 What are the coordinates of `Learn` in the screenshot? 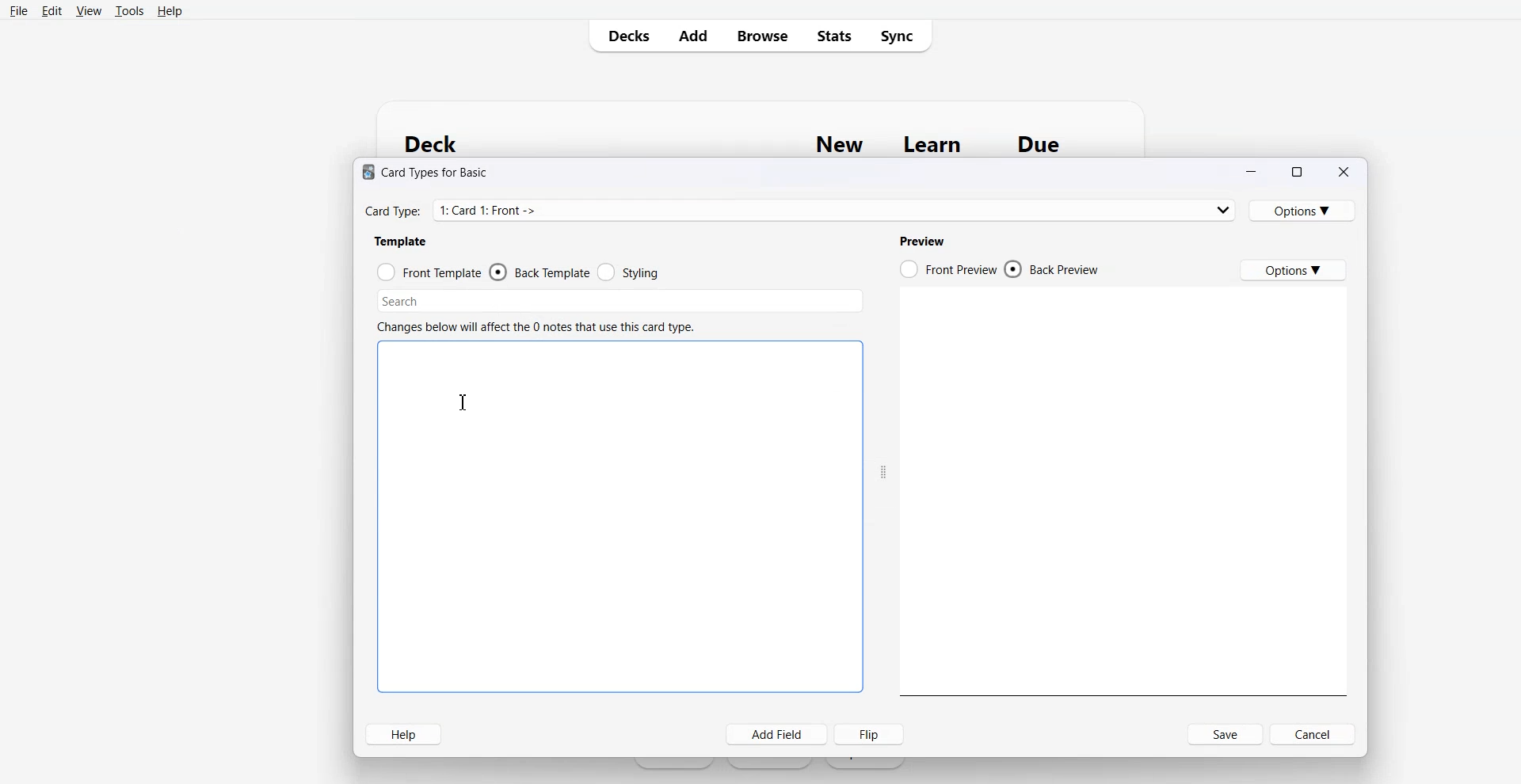 It's located at (935, 145).